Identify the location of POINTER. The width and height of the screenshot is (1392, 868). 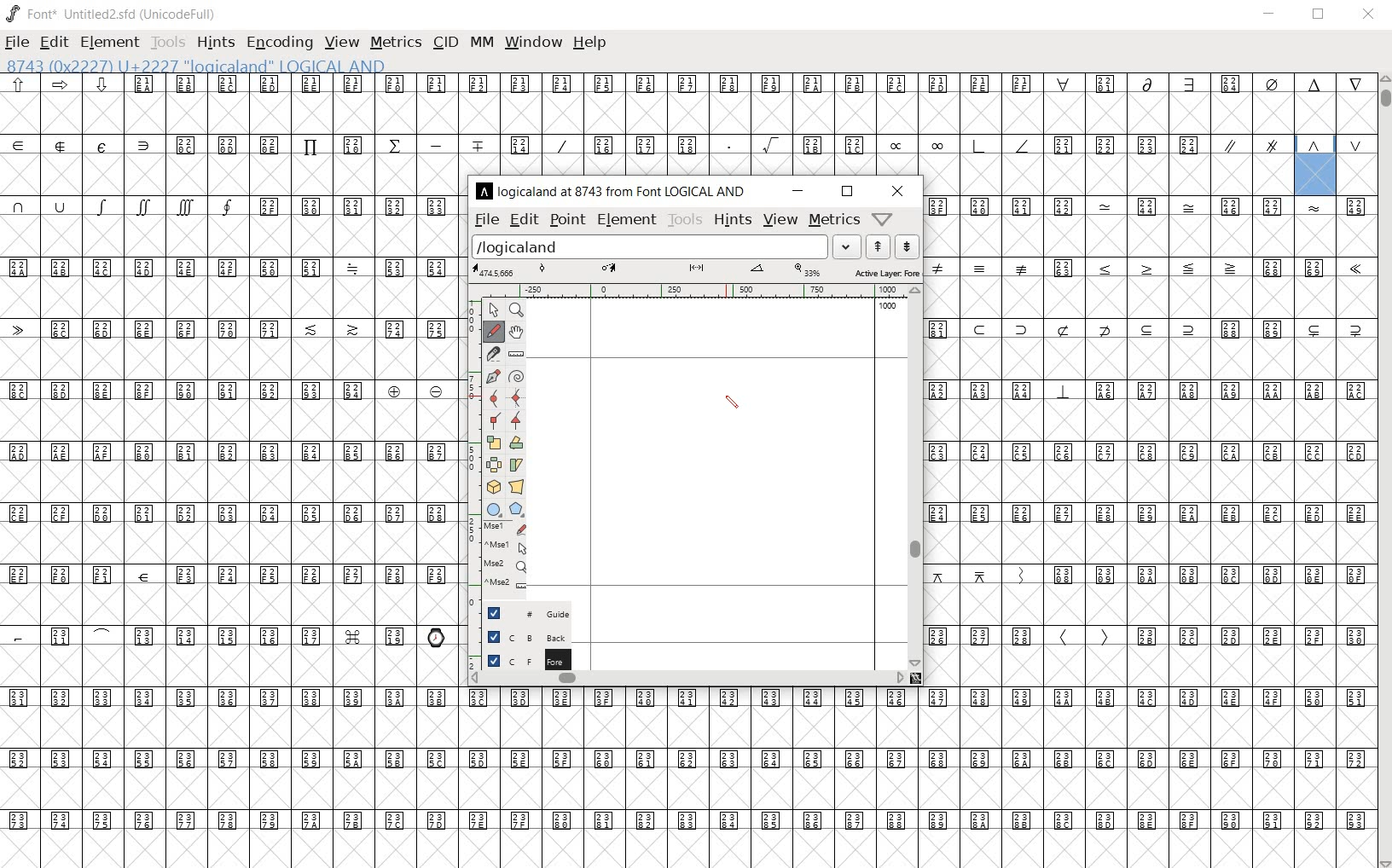
(495, 311).